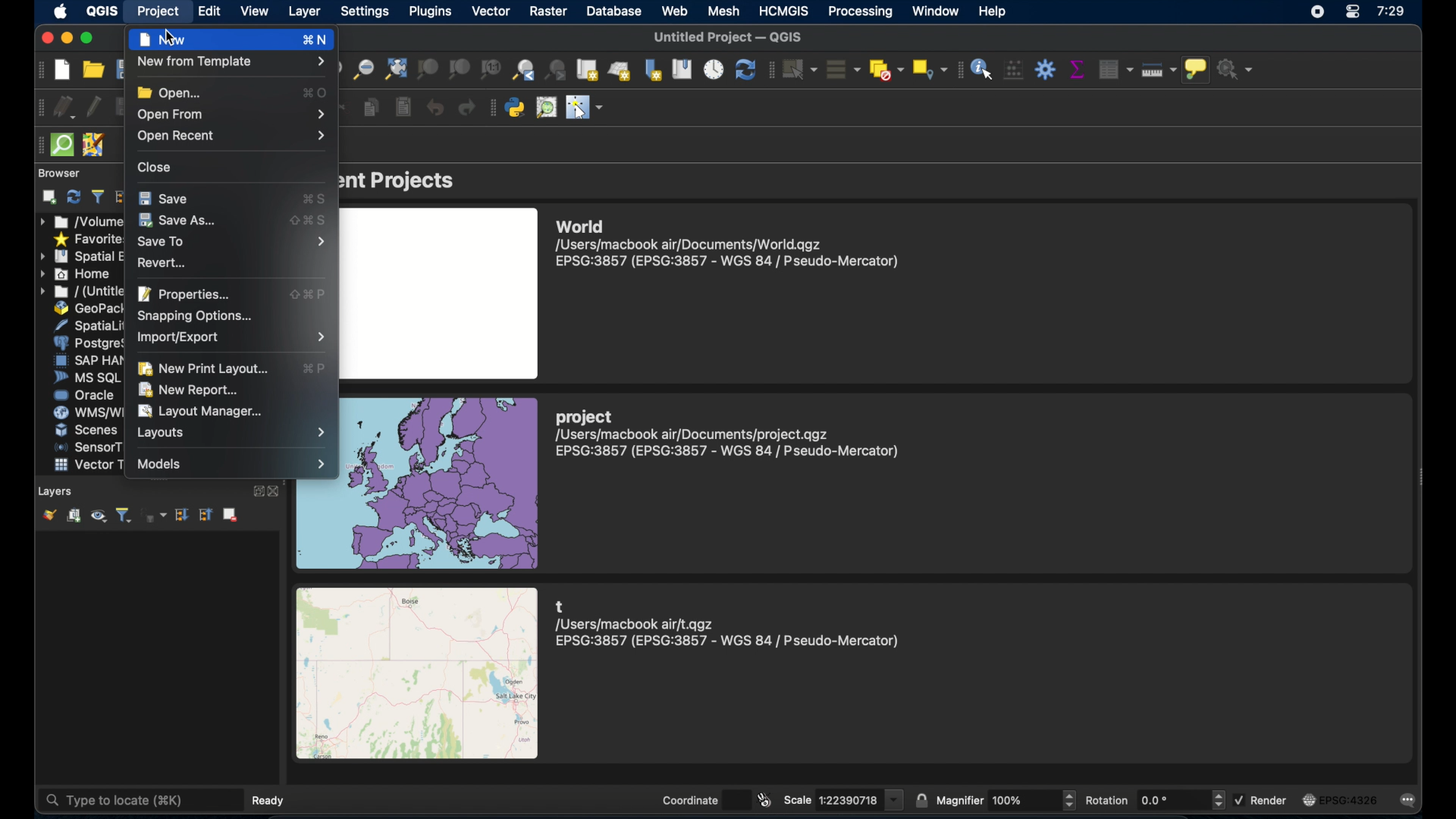 Image resolution: width=1456 pixels, height=819 pixels. Describe the element at coordinates (799, 70) in the screenshot. I see `select features by area or single click` at that location.